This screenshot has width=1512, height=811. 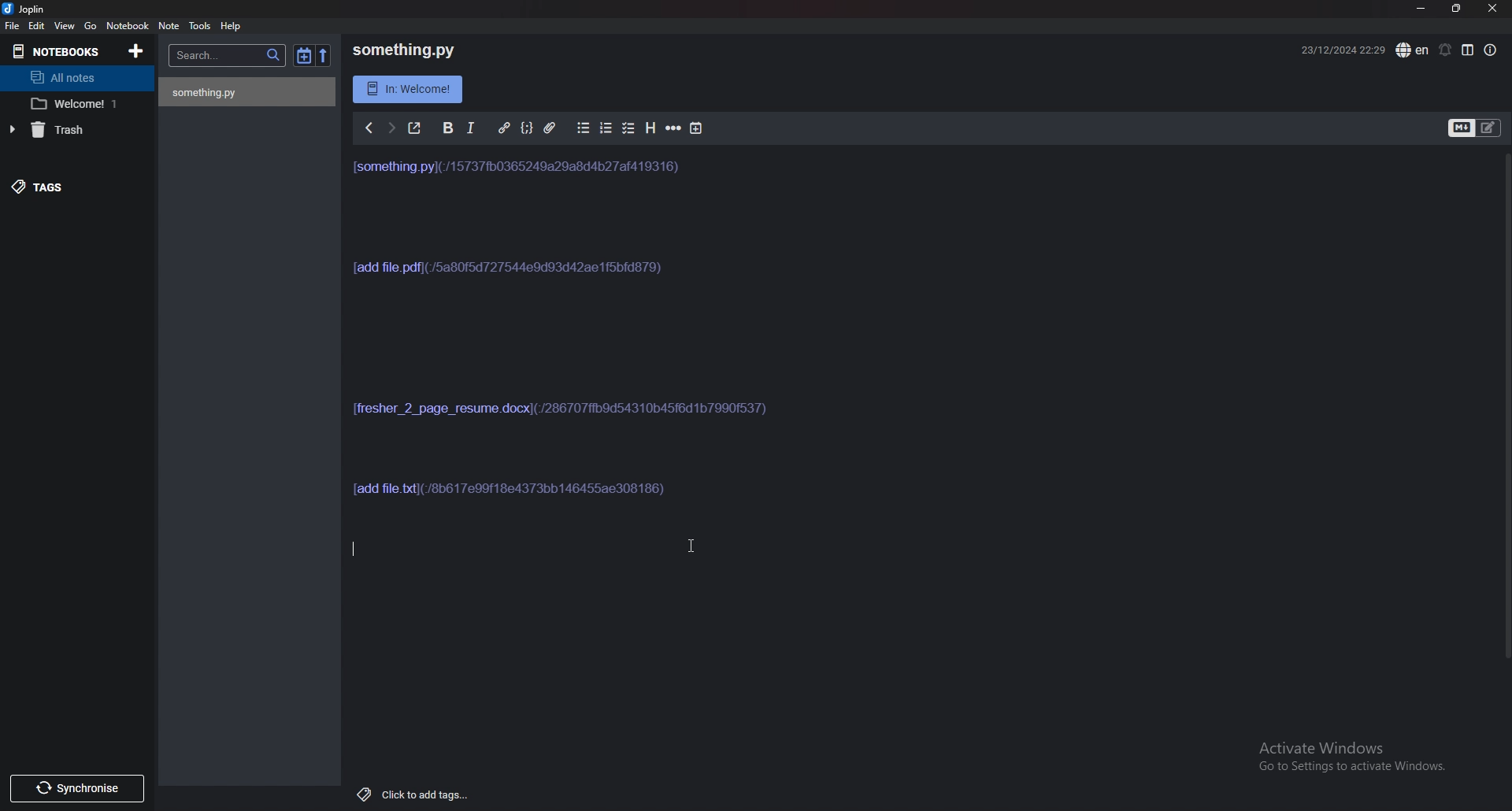 I want to click on Welcome, so click(x=73, y=103).